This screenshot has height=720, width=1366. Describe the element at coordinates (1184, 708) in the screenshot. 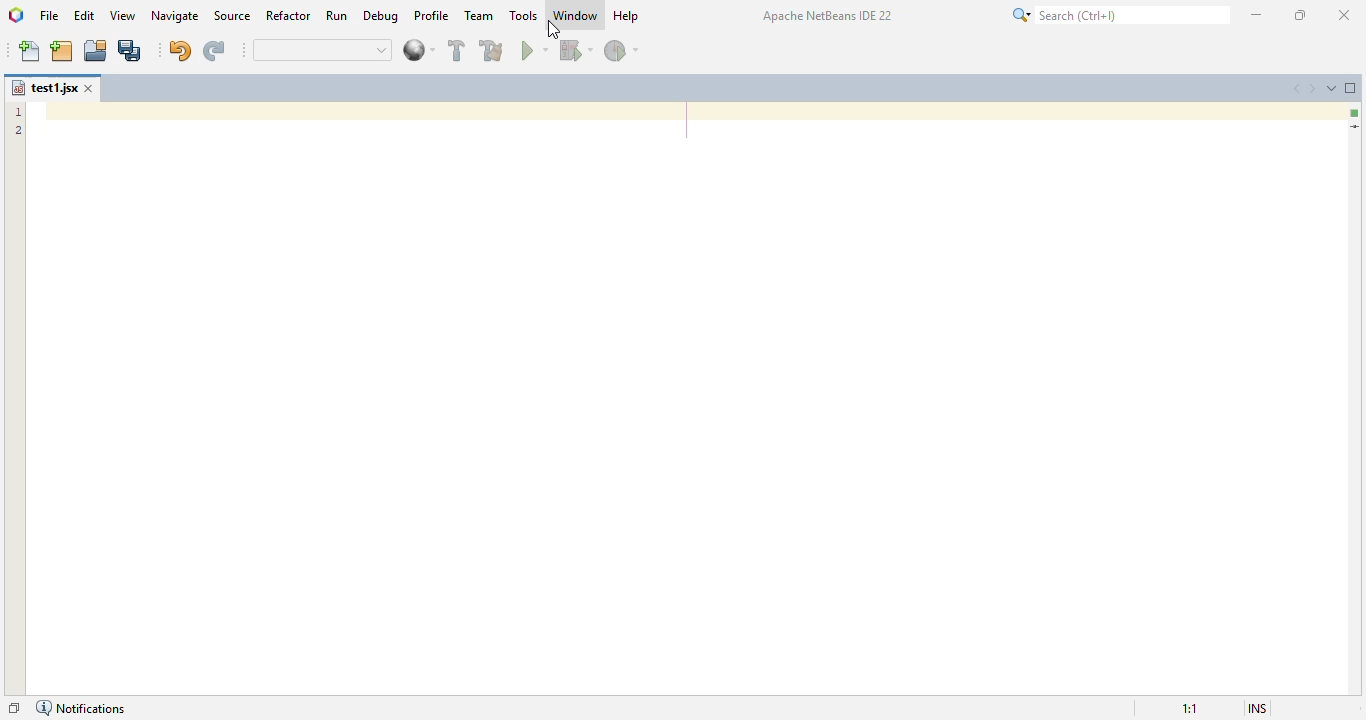

I see `magnification ratio` at that location.